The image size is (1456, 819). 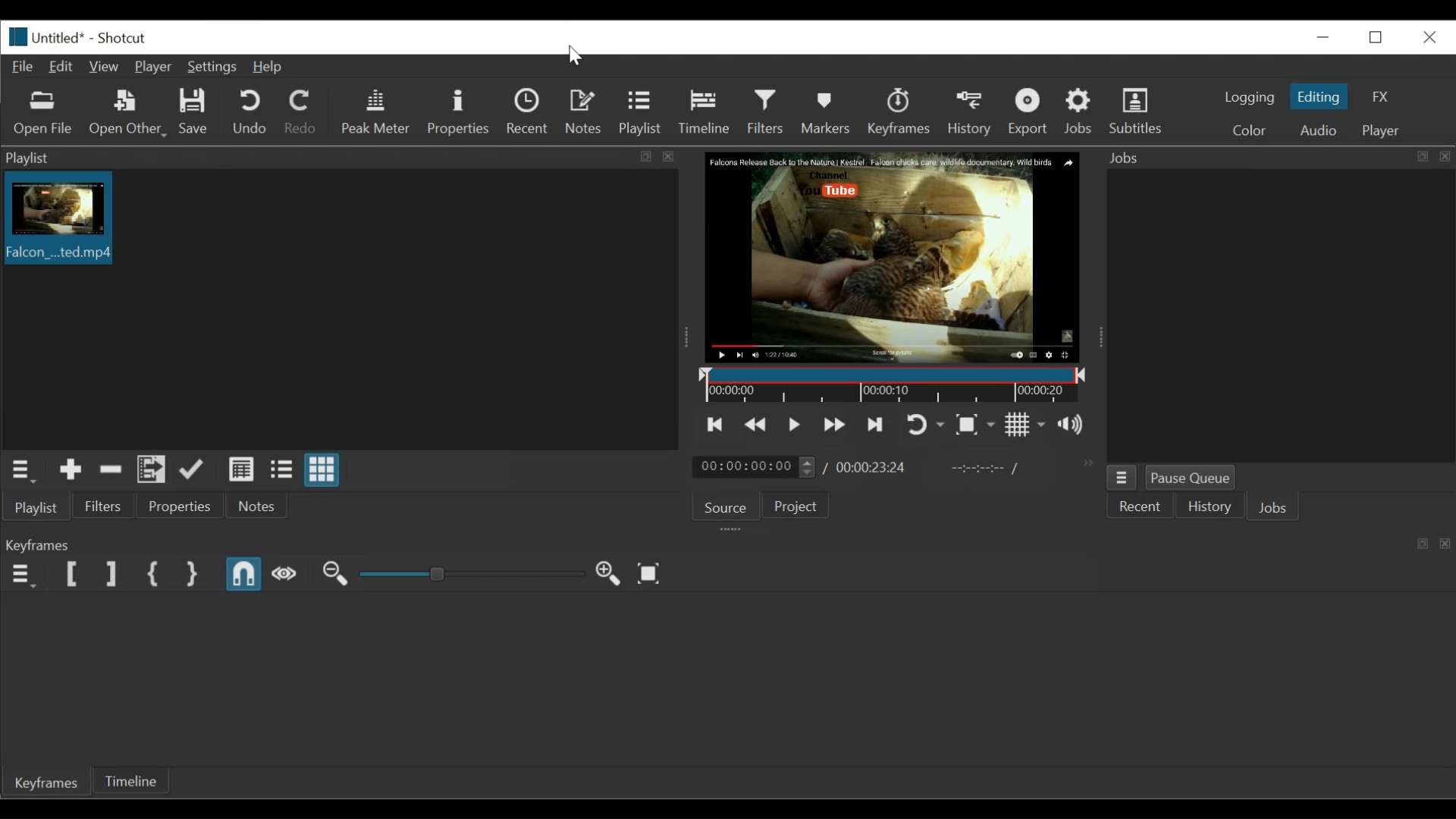 What do you see at coordinates (193, 573) in the screenshot?
I see `Set Second Simple keyframe` at bounding box center [193, 573].